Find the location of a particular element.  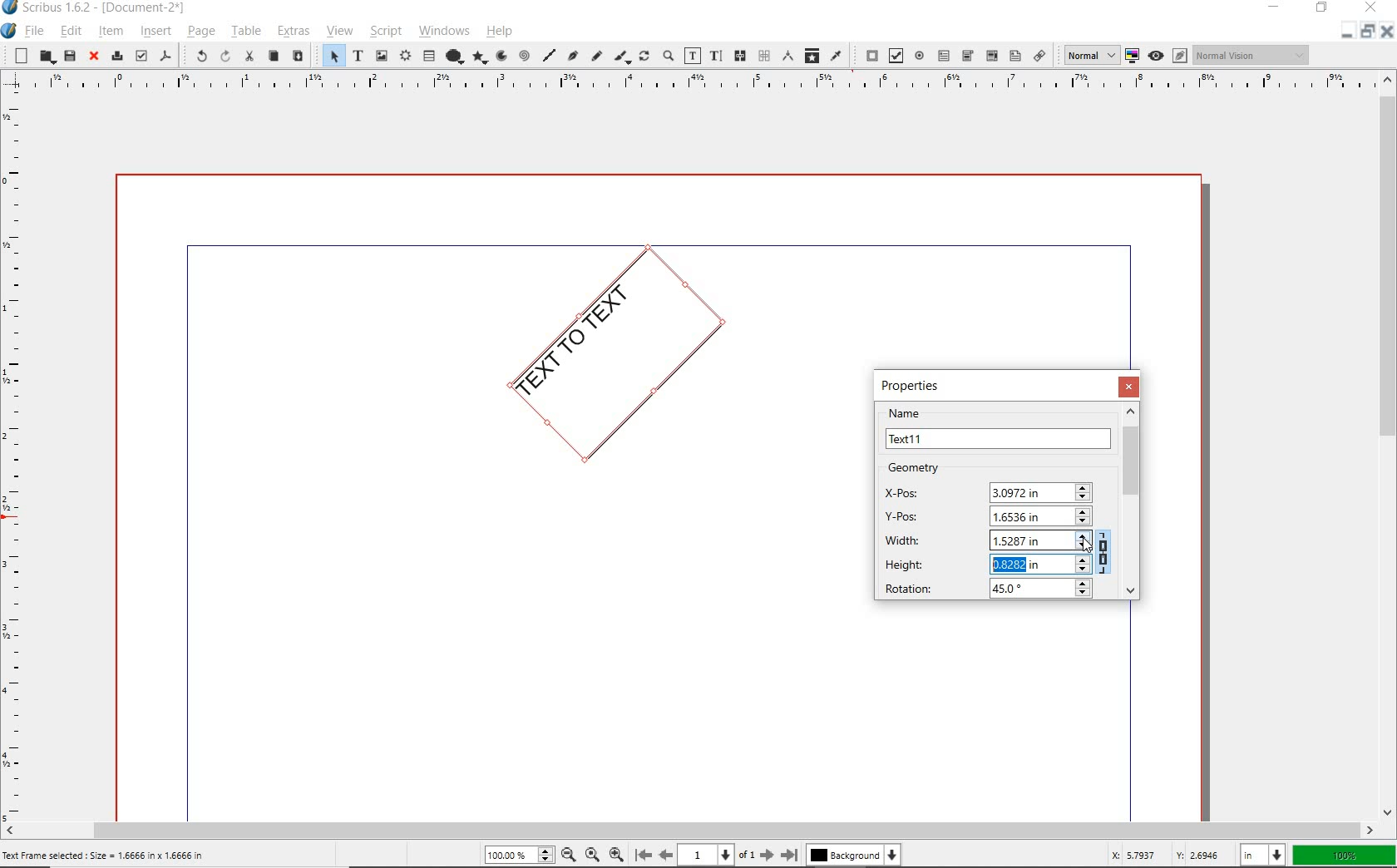

measurements is located at coordinates (788, 57).